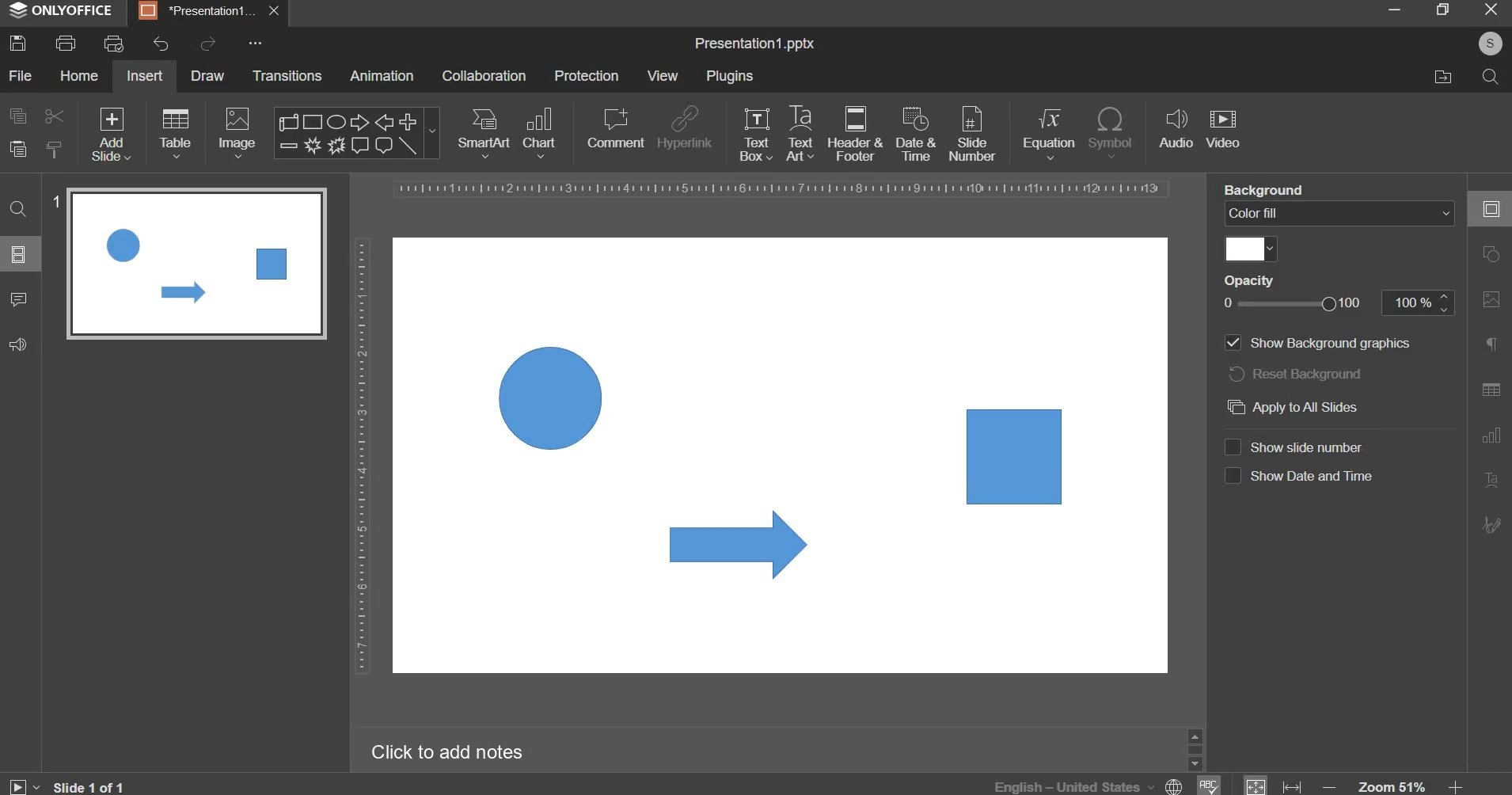 This screenshot has height=795, width=1512. I want to click on image setting, so click(1489, 296).